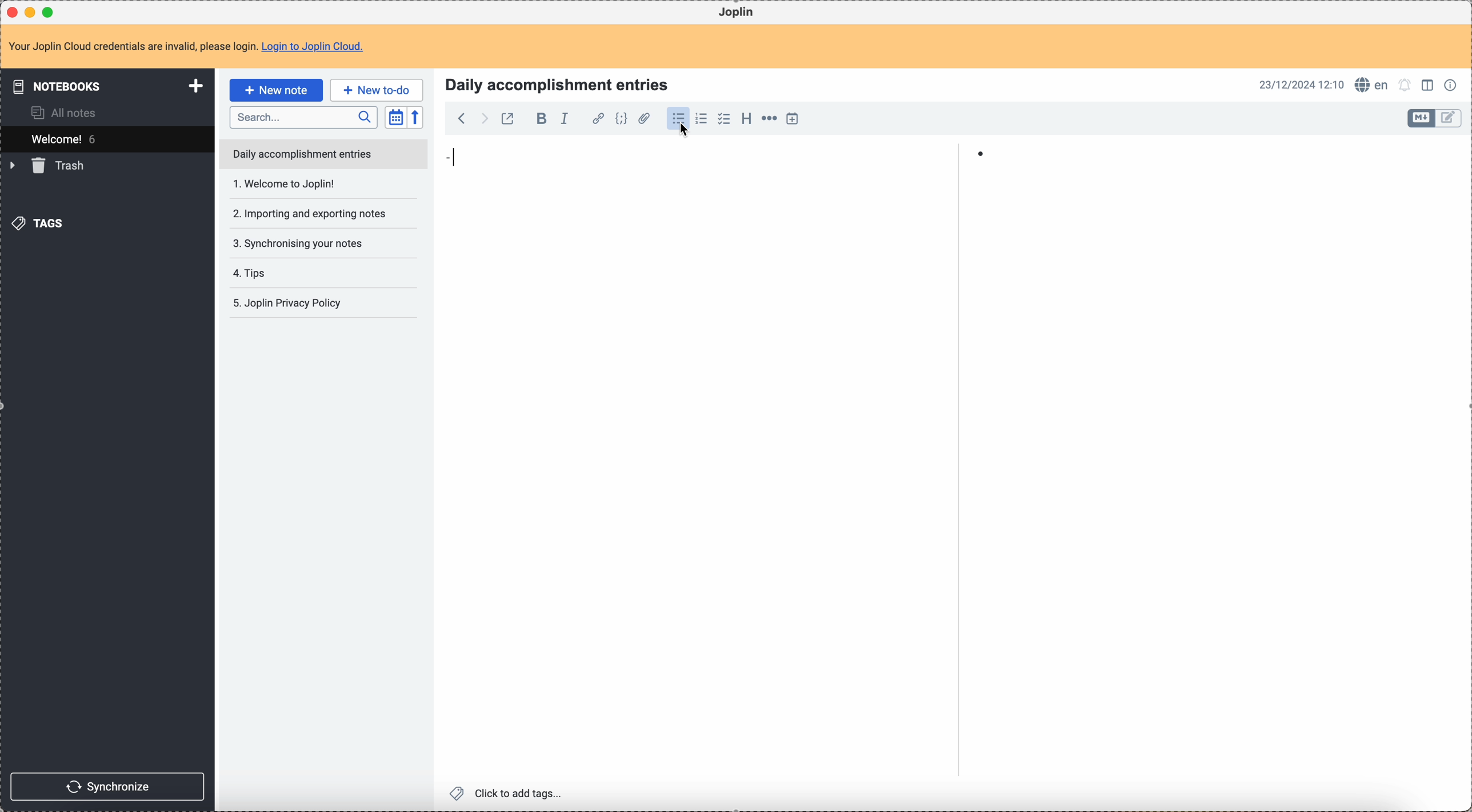  What do you see at coordinates (49, 11) in the screenshot?
I see `maximize` at bounding box center [49, 11].